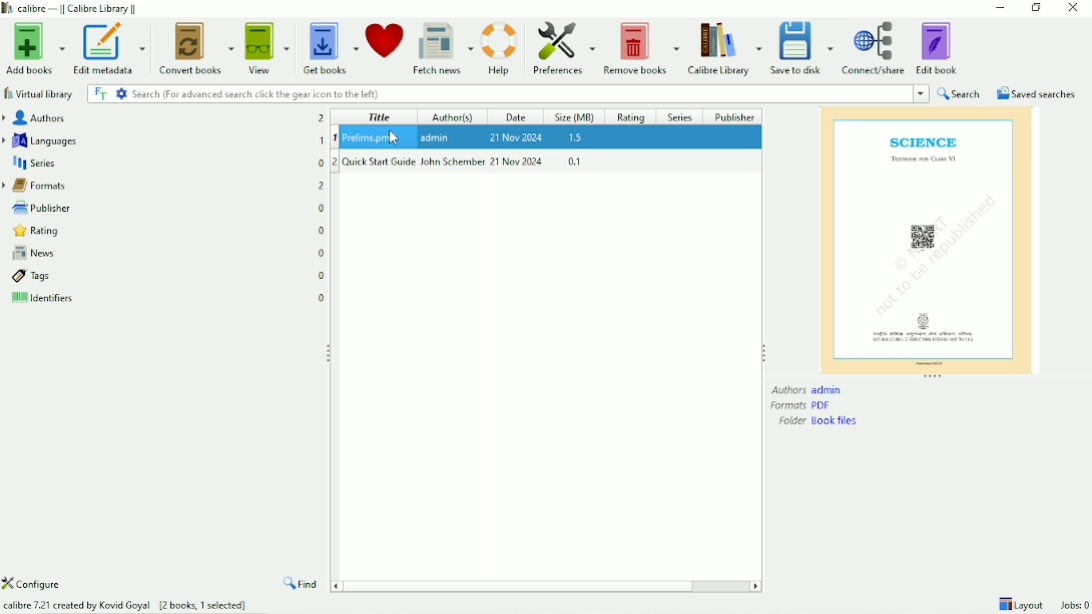 Image resolution: width=1092 pixels, height=614 pixels. I want to click on Help, so click(500, 48).